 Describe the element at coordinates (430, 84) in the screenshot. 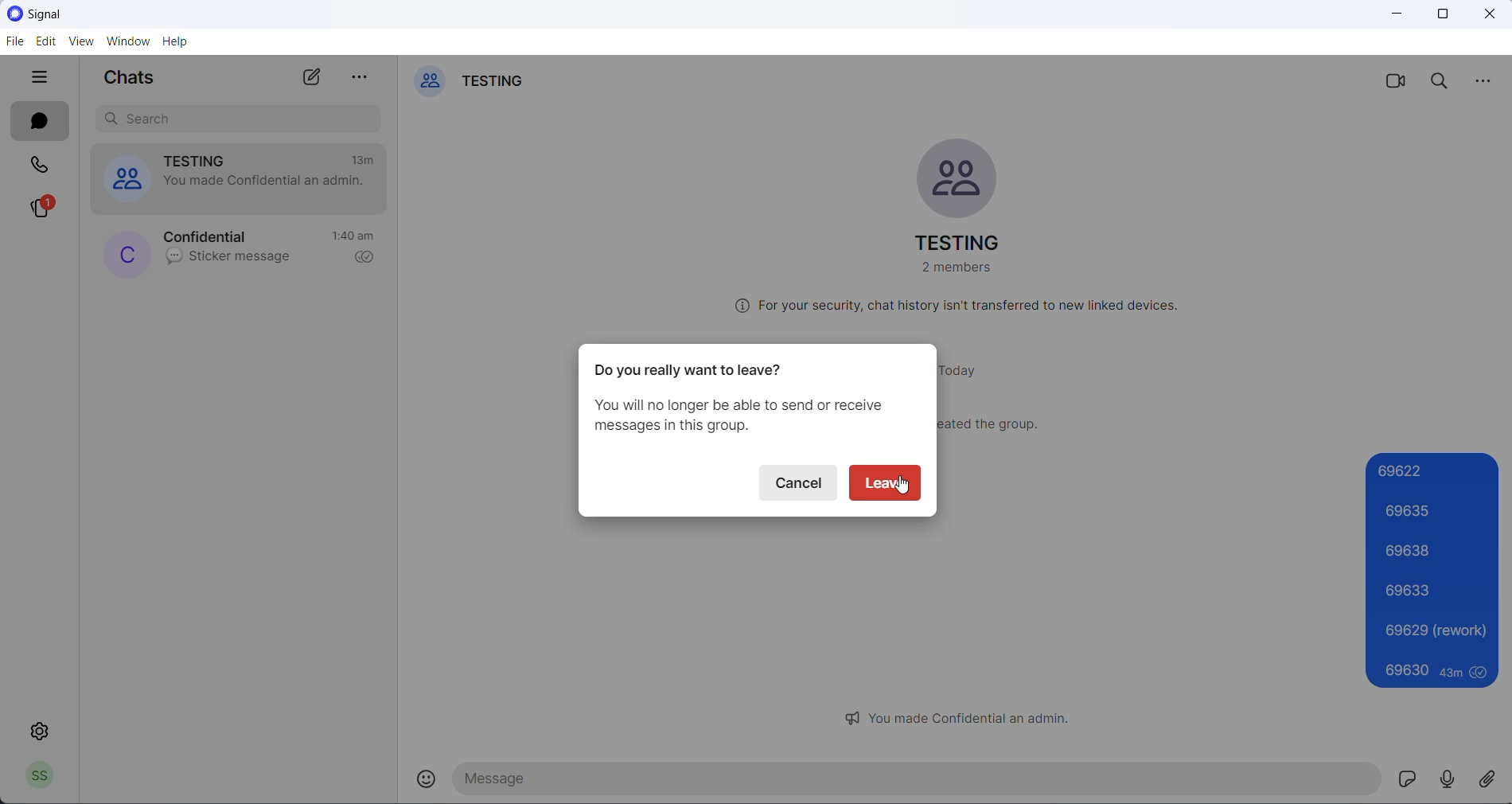

I see `group cover photo` at that location.